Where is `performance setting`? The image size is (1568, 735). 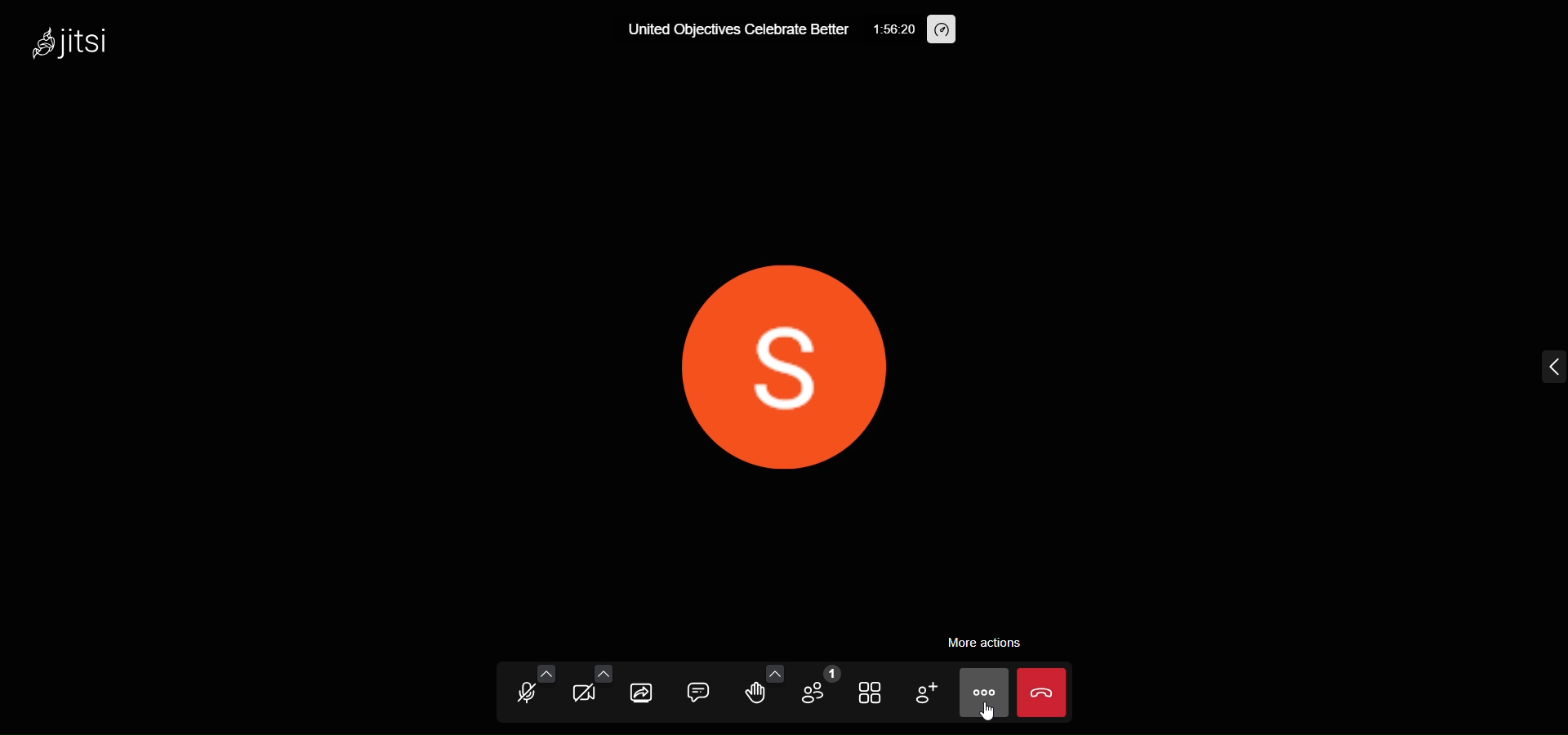
performance setting is located at coordinates (942, 30).